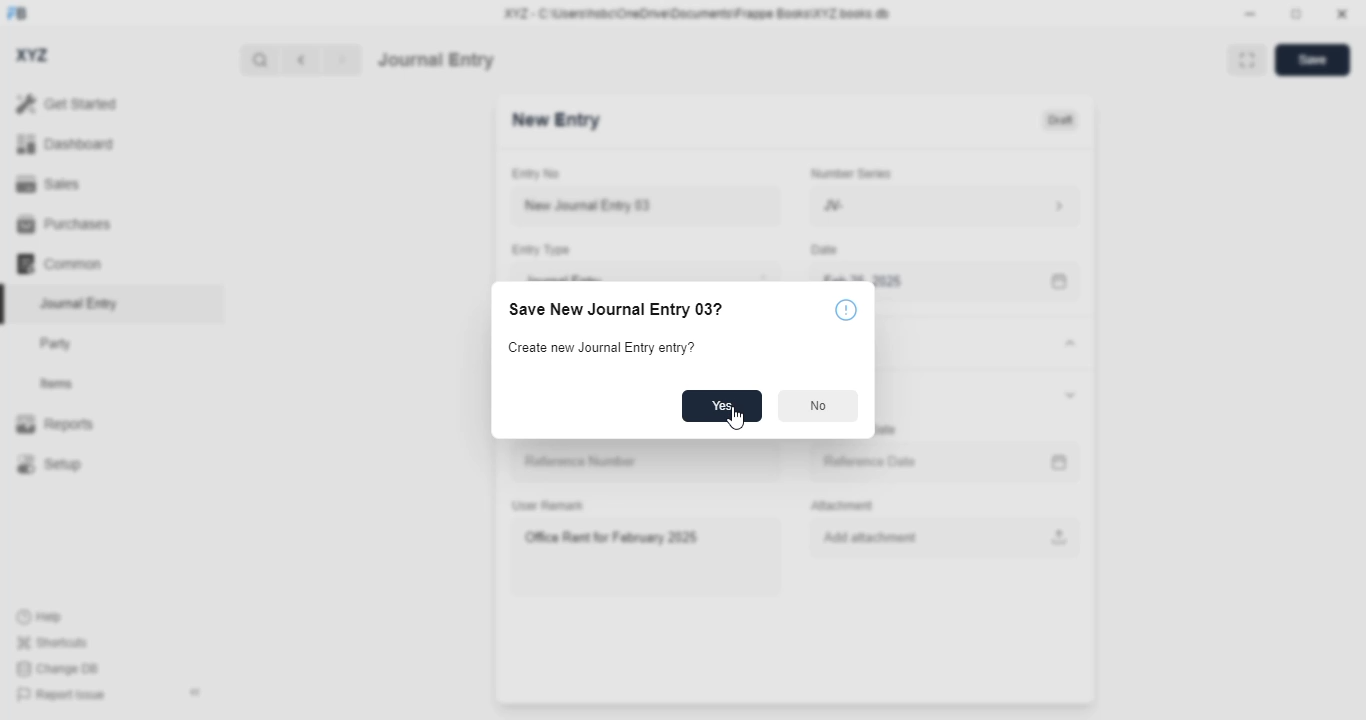  What do you see at coordinates (898, 206) in the screenshot?
I see `JV-` at bounding box center [898, 206].